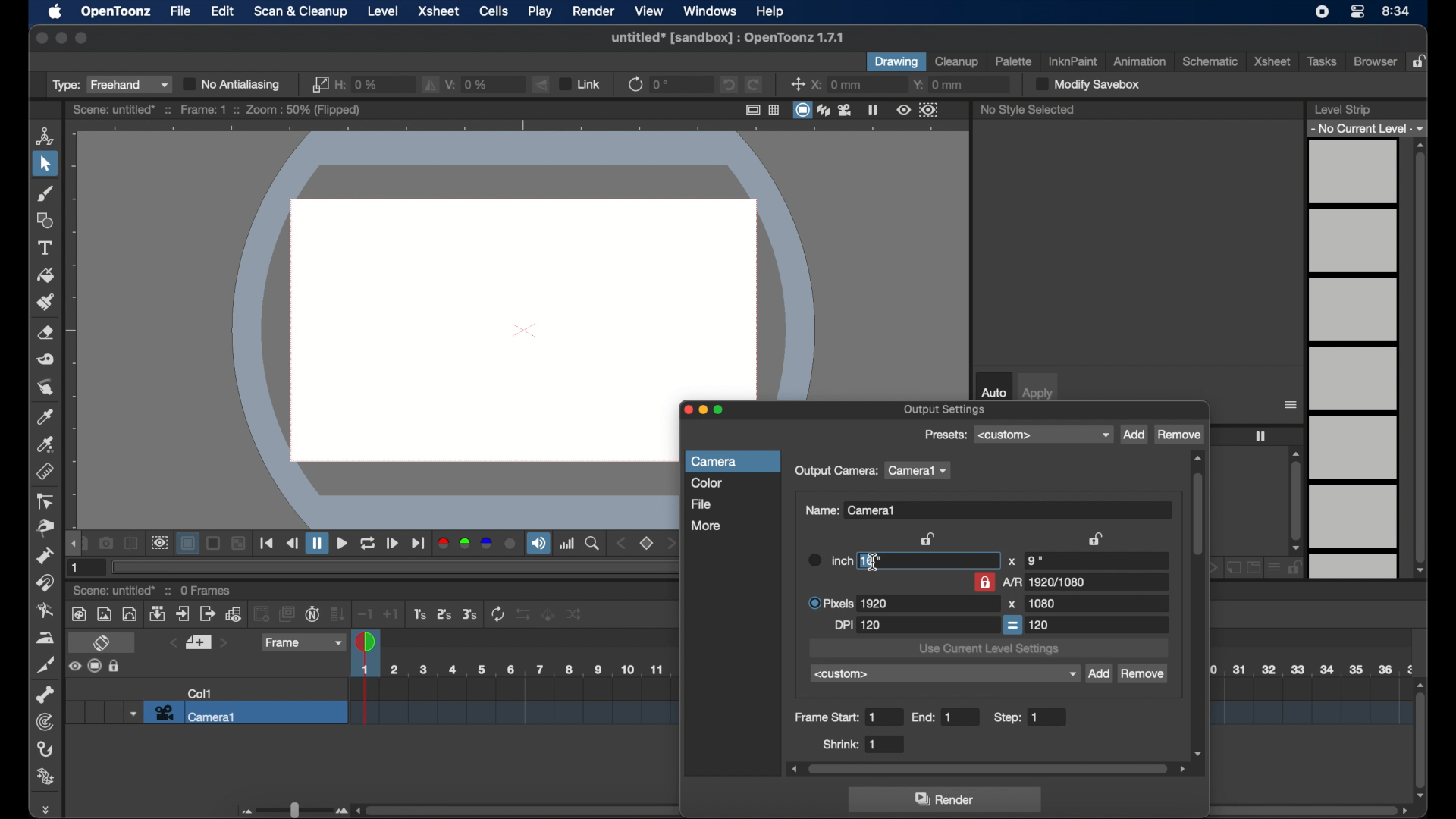  I want to click on type, so click(110, 84).